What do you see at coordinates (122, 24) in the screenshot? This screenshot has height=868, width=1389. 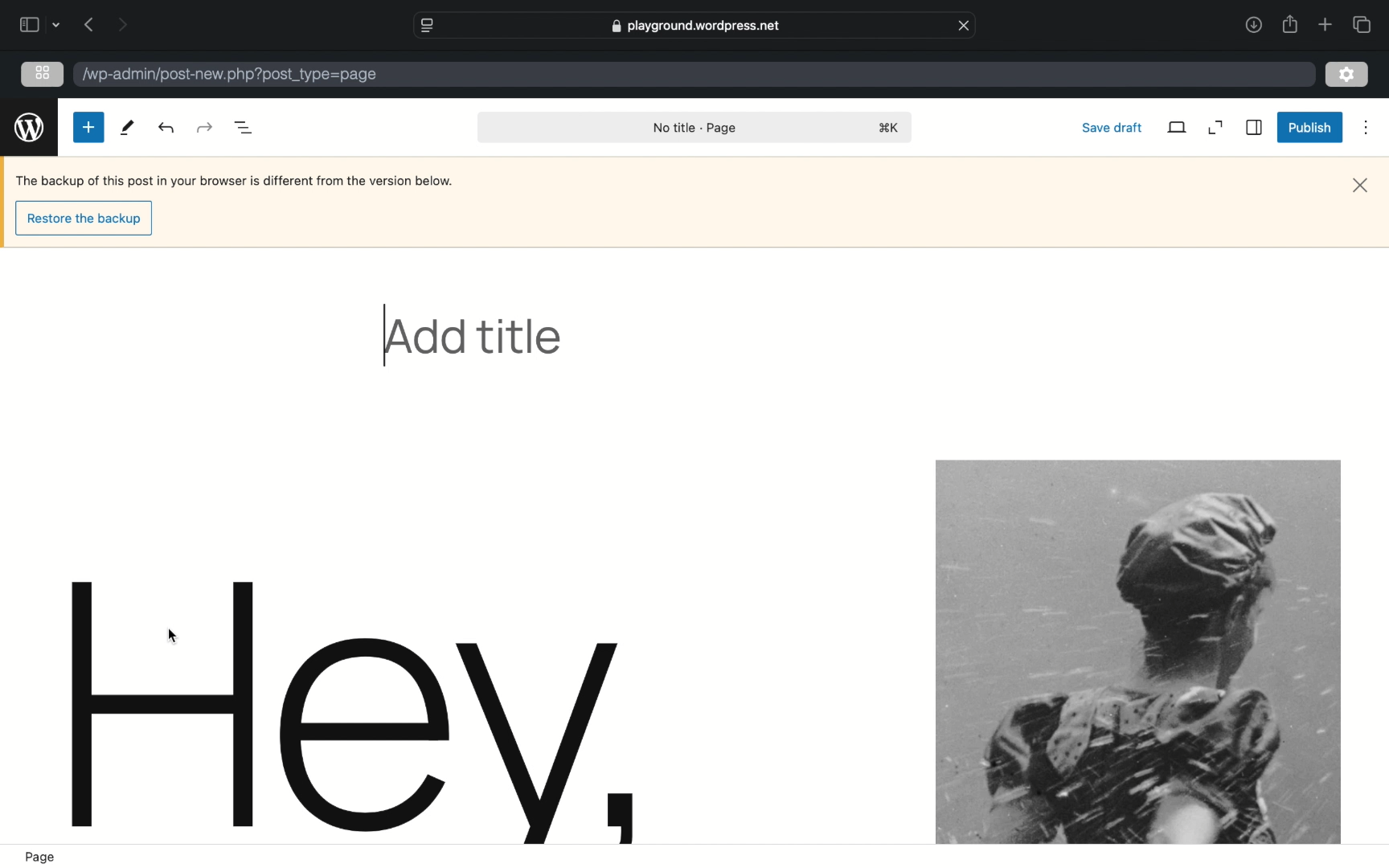 I see `next page` at bounding box center [122, 24].